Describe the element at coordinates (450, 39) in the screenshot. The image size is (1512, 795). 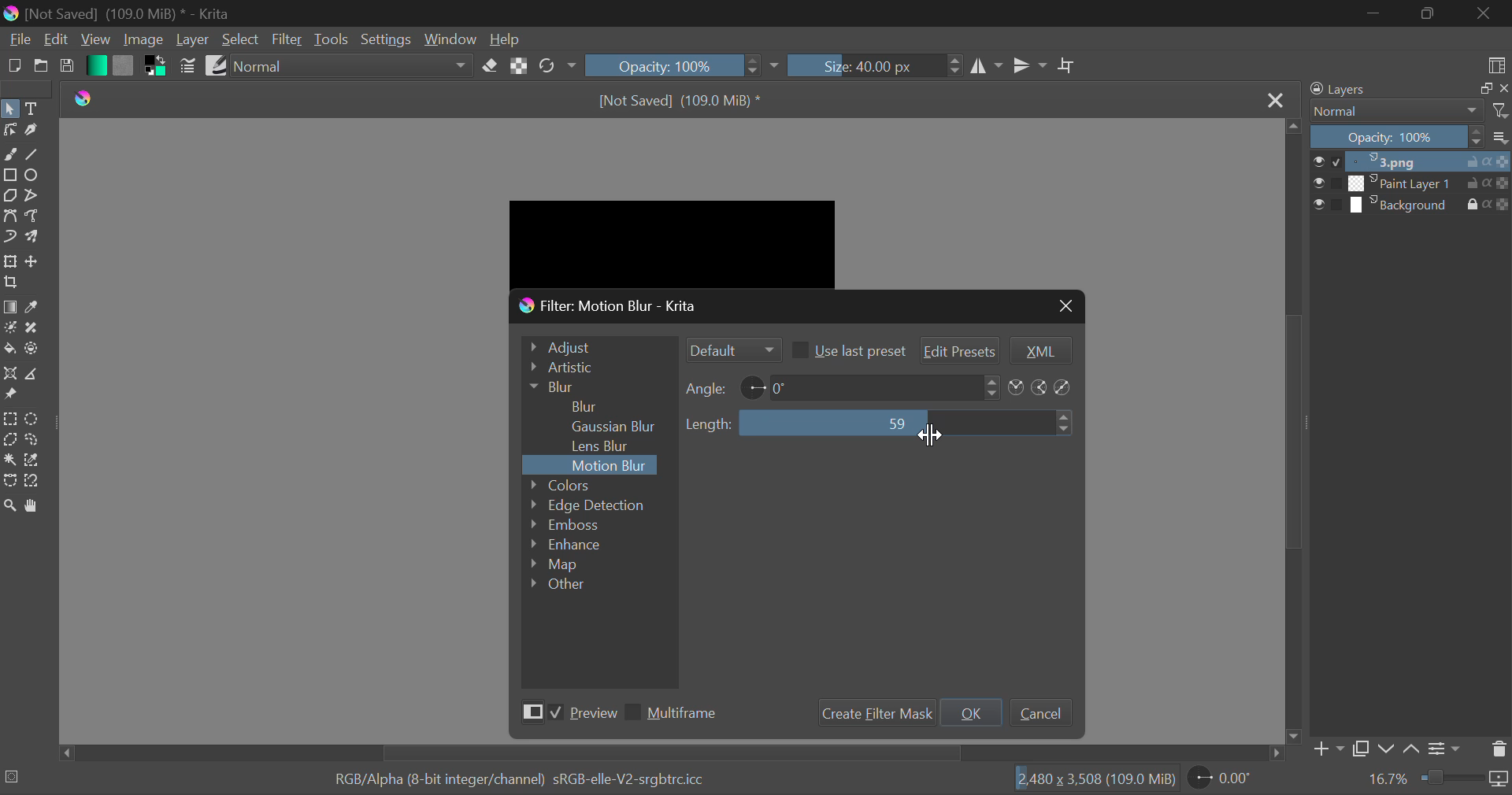
I see `Window` at that location.